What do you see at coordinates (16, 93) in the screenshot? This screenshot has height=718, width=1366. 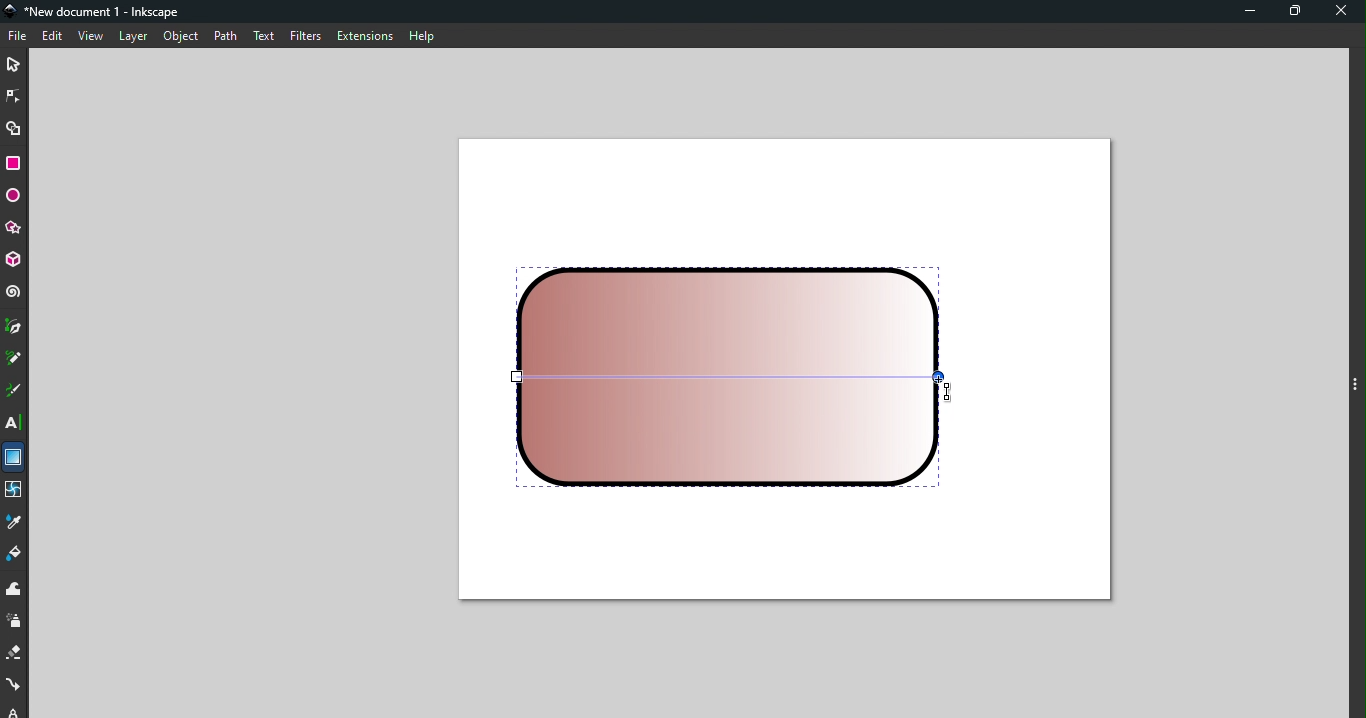 I see `Node tool` at bounding box center [16, 93].